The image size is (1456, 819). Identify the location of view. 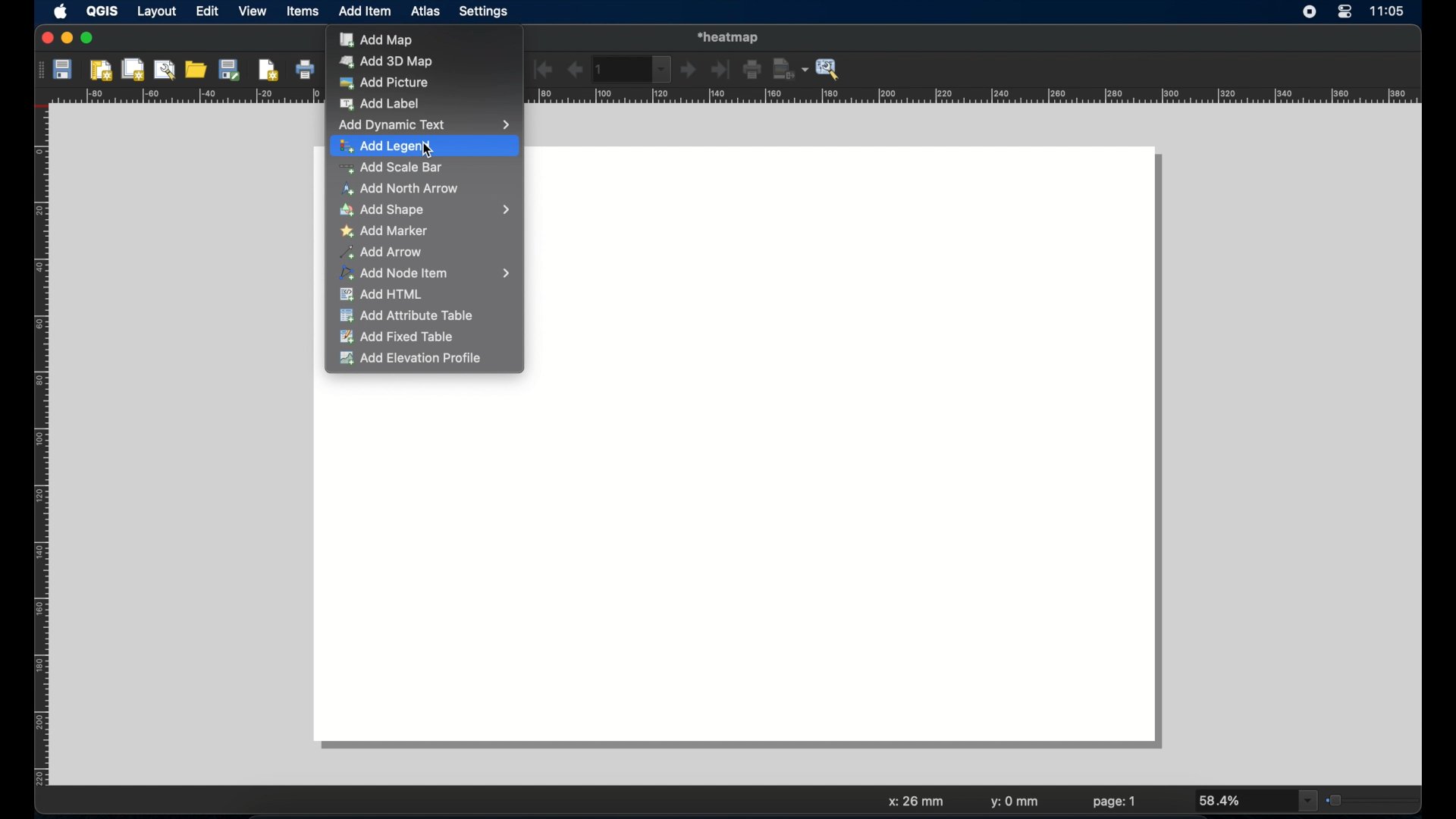
(252, 12).